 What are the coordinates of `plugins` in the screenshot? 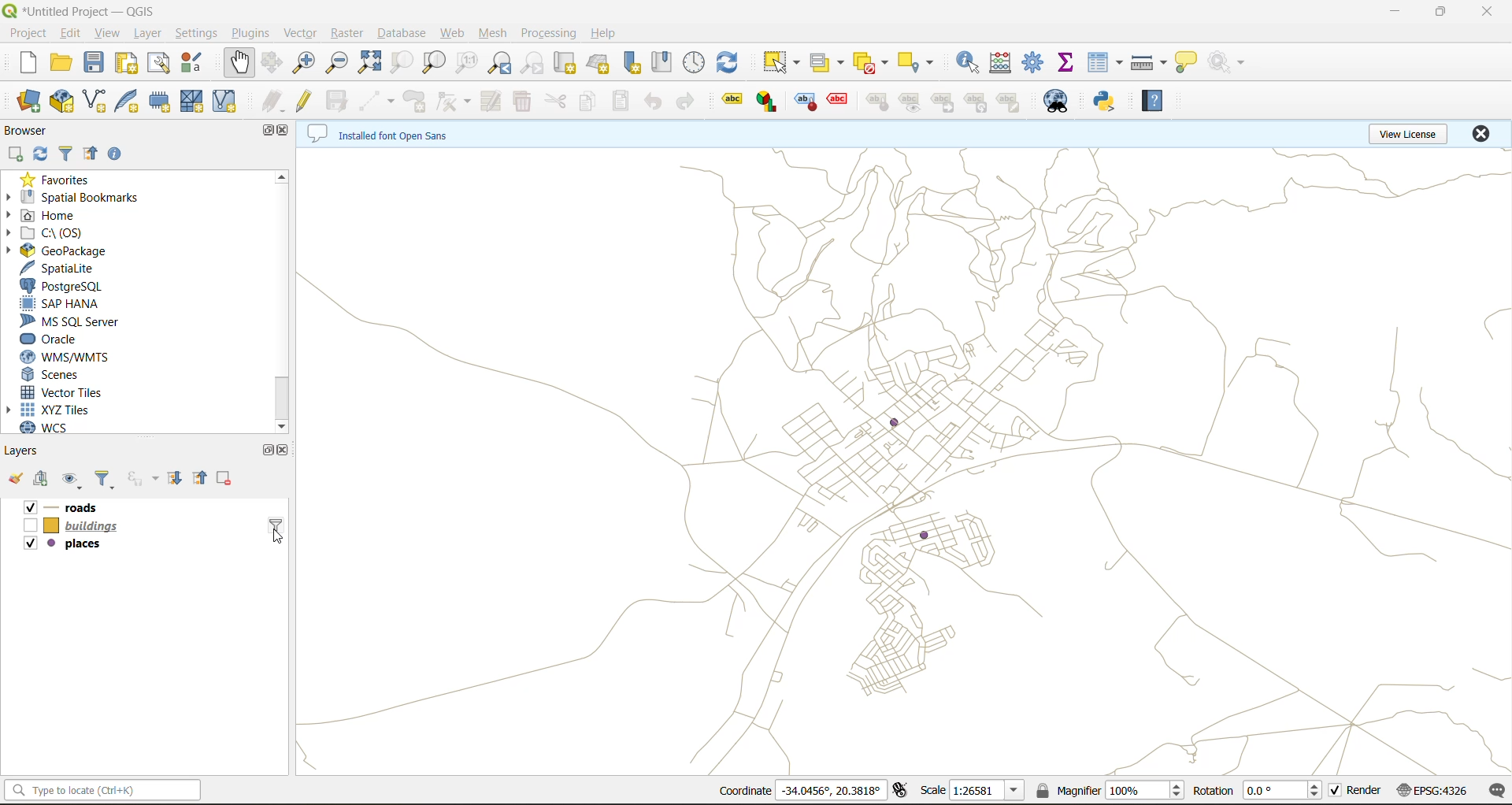 It's located at (250, 33).